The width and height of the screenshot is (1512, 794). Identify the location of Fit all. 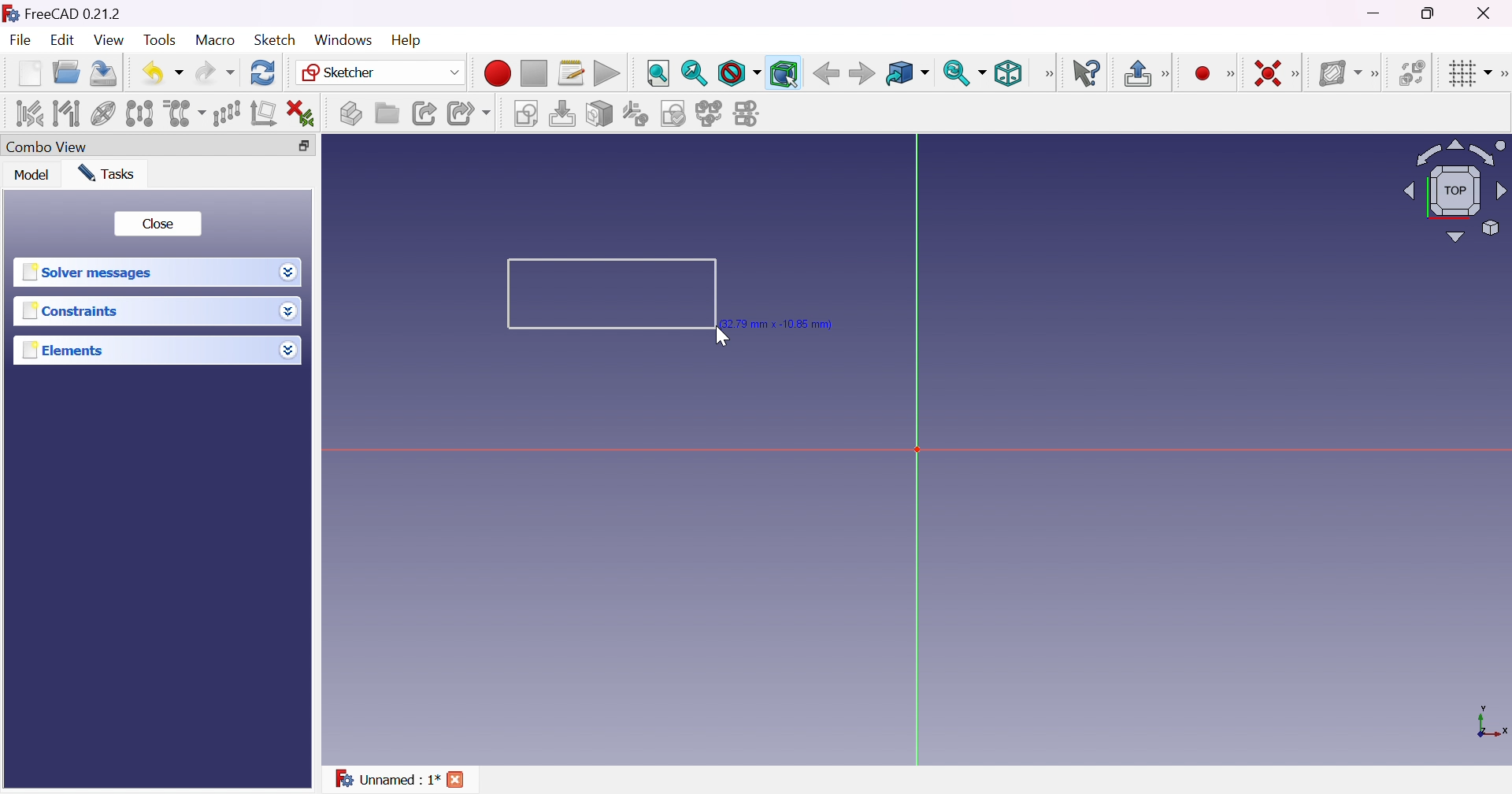
(658, 72).